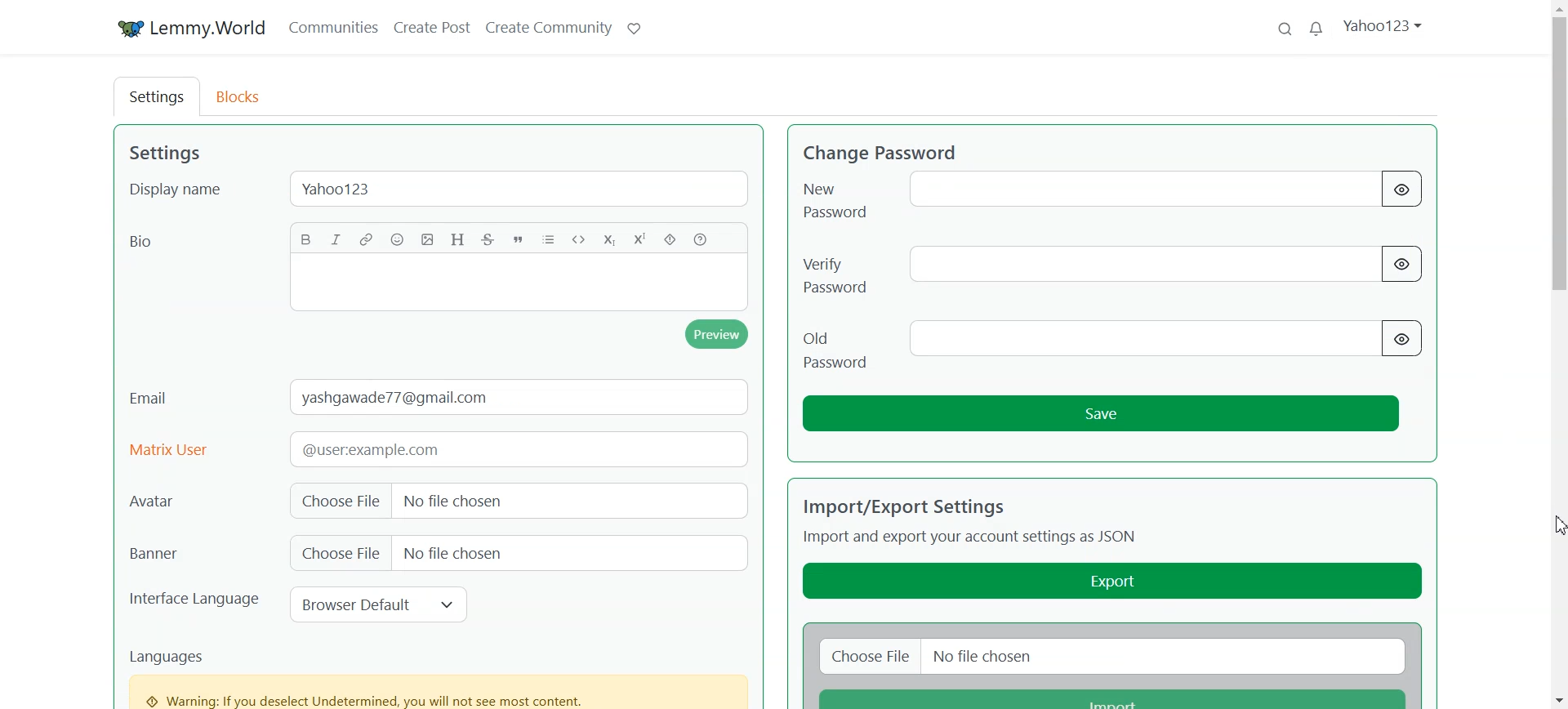 This screenshot has height=709, width=1568. What do you see at coordinates (194, 607) in the screenshot?
I see `Interface Language` at bounding box center [194, 607].